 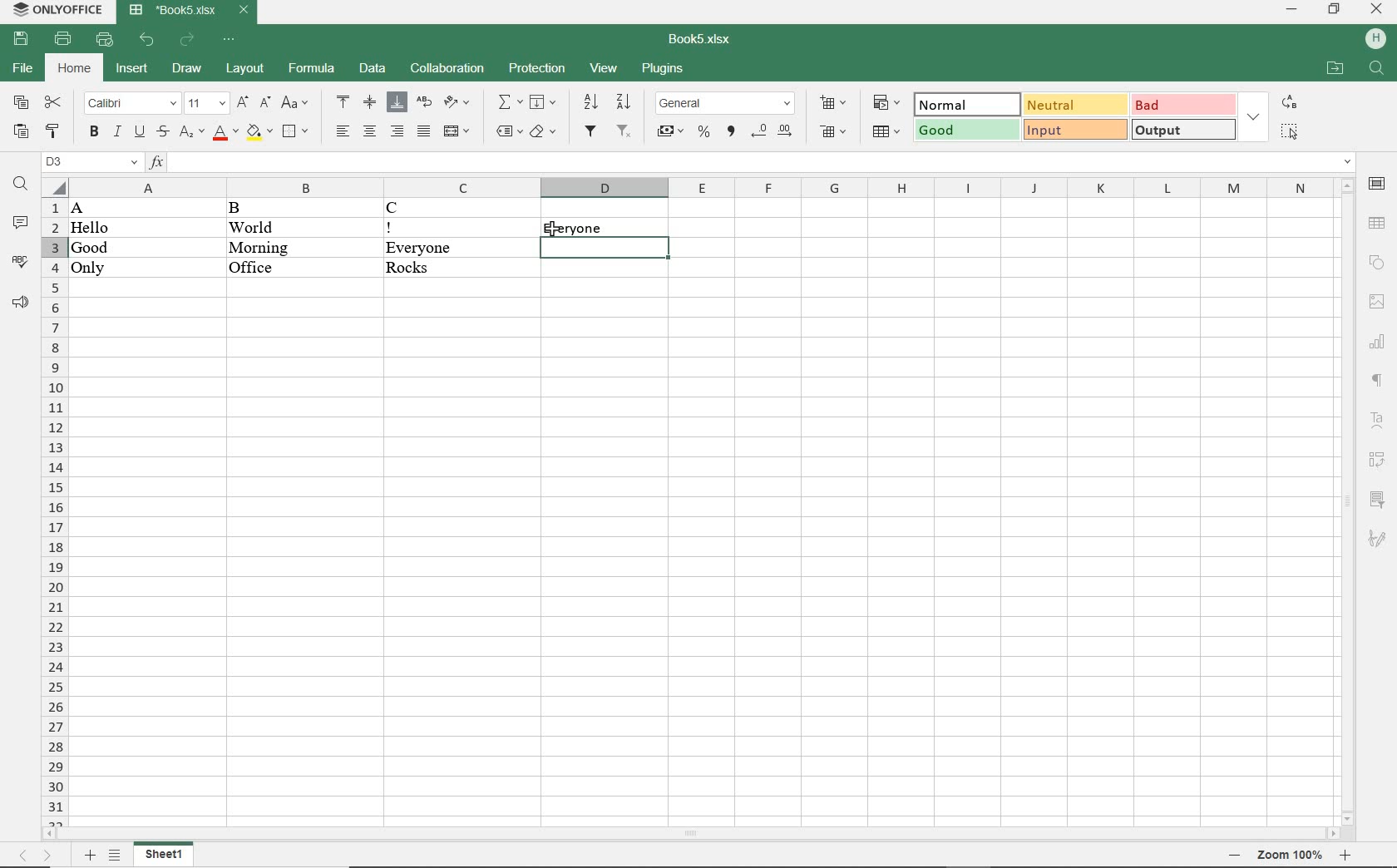 I want to click on plugins, so click(x=663, y=70).